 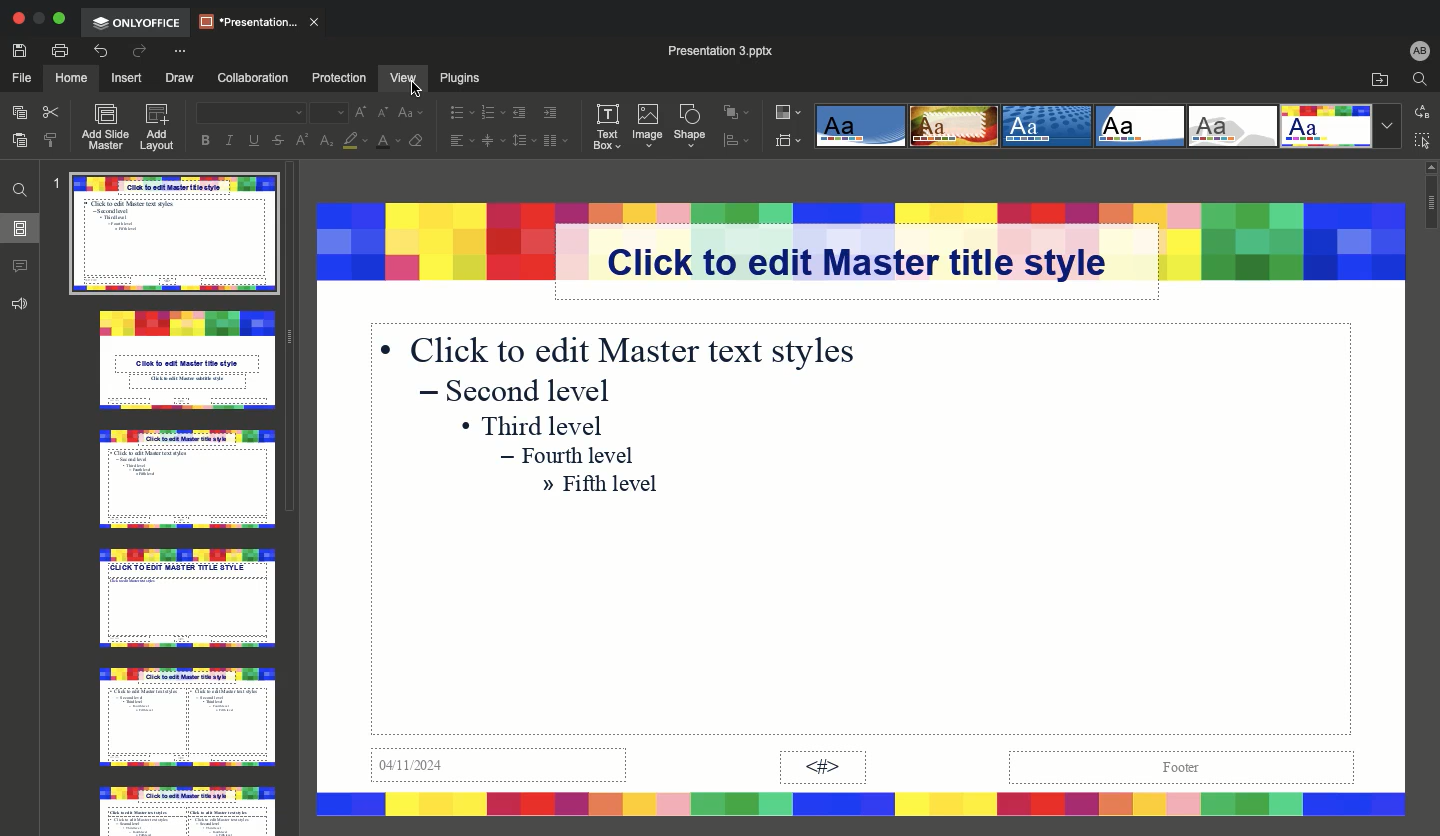 I want to click on Blank style, so click(x=860, y=127).